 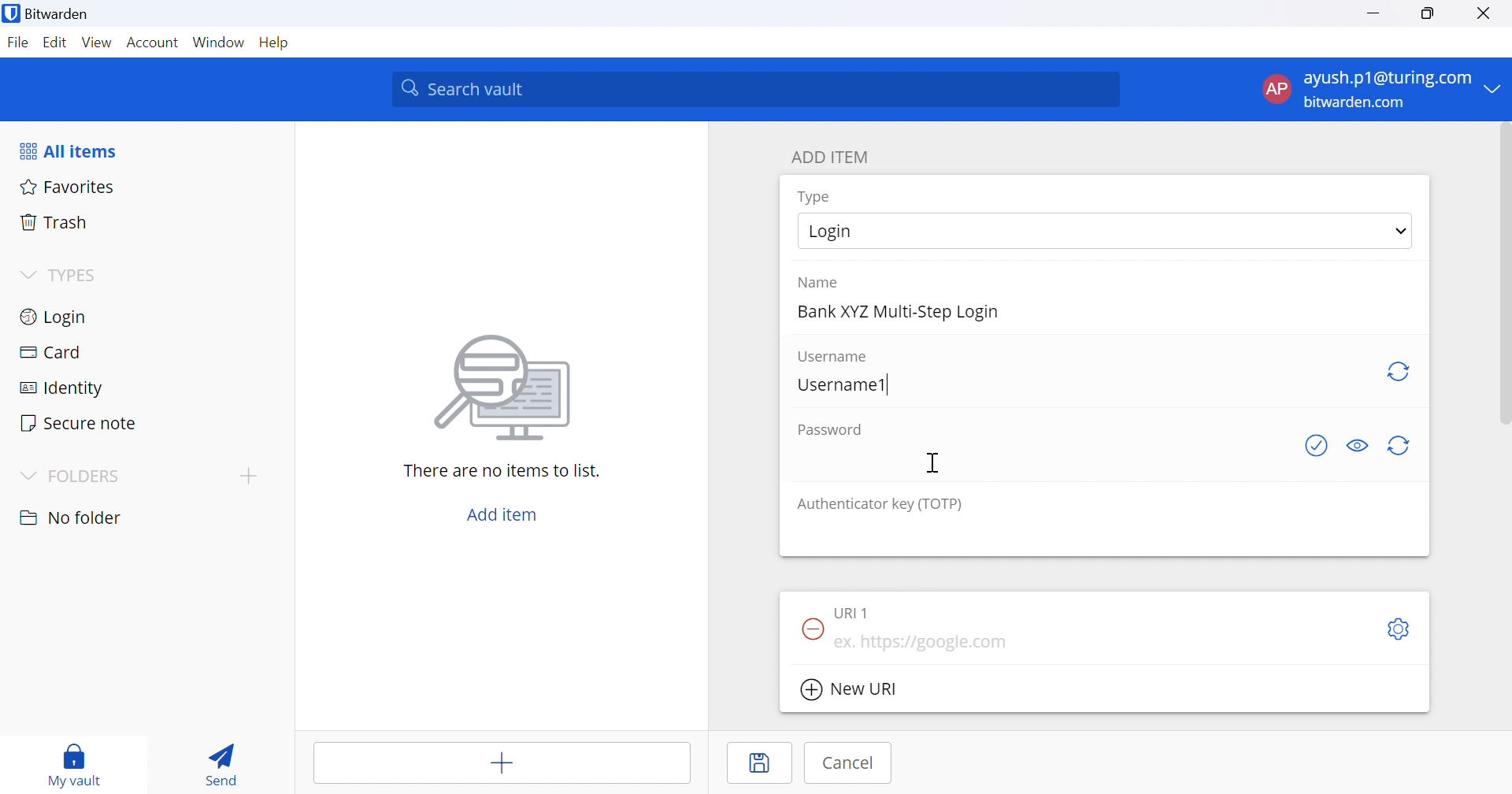 I want to click on Drop Down, so click(x=1497, y=90).